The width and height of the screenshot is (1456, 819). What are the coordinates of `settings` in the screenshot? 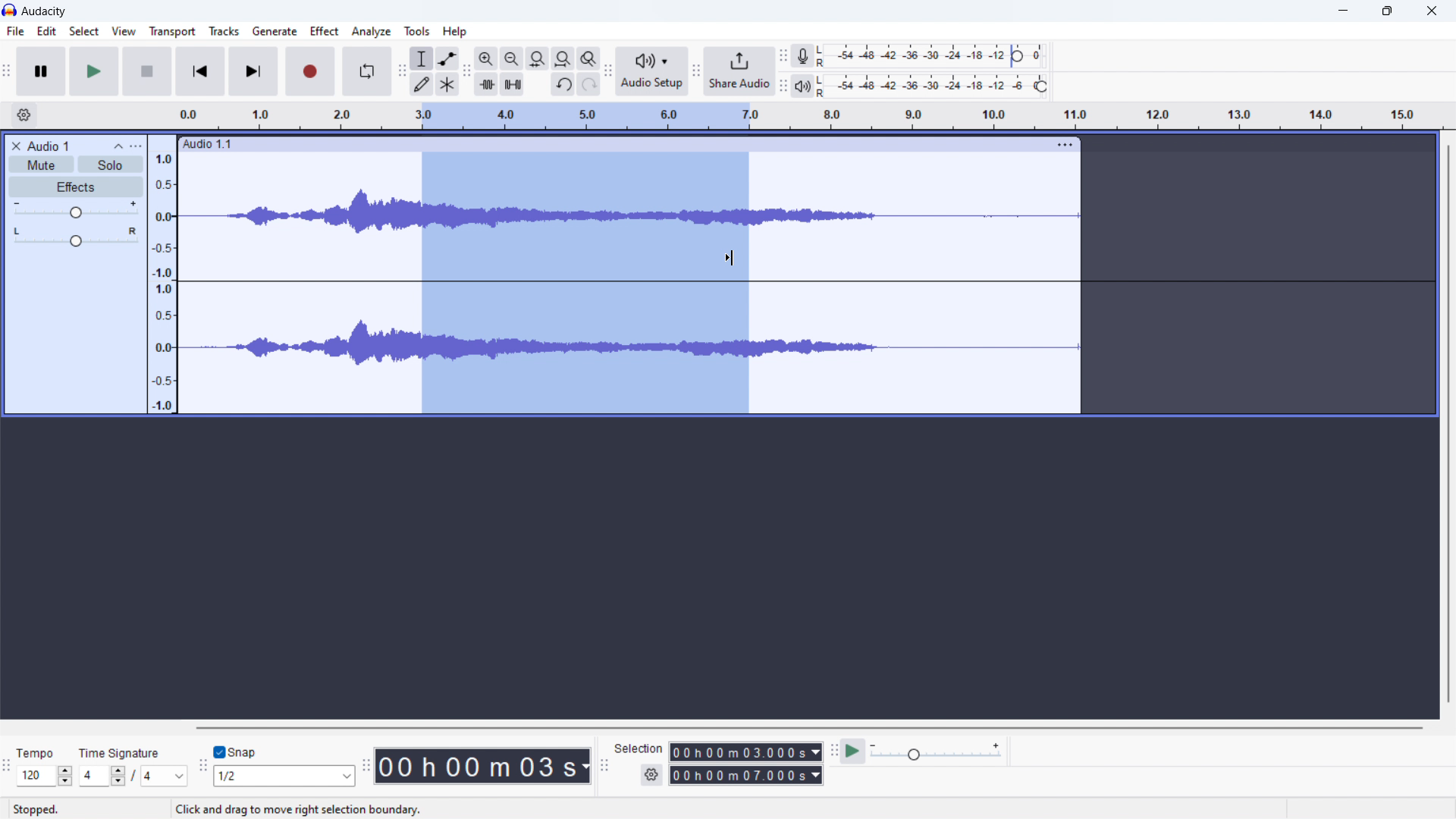 It's located at (651, 776).